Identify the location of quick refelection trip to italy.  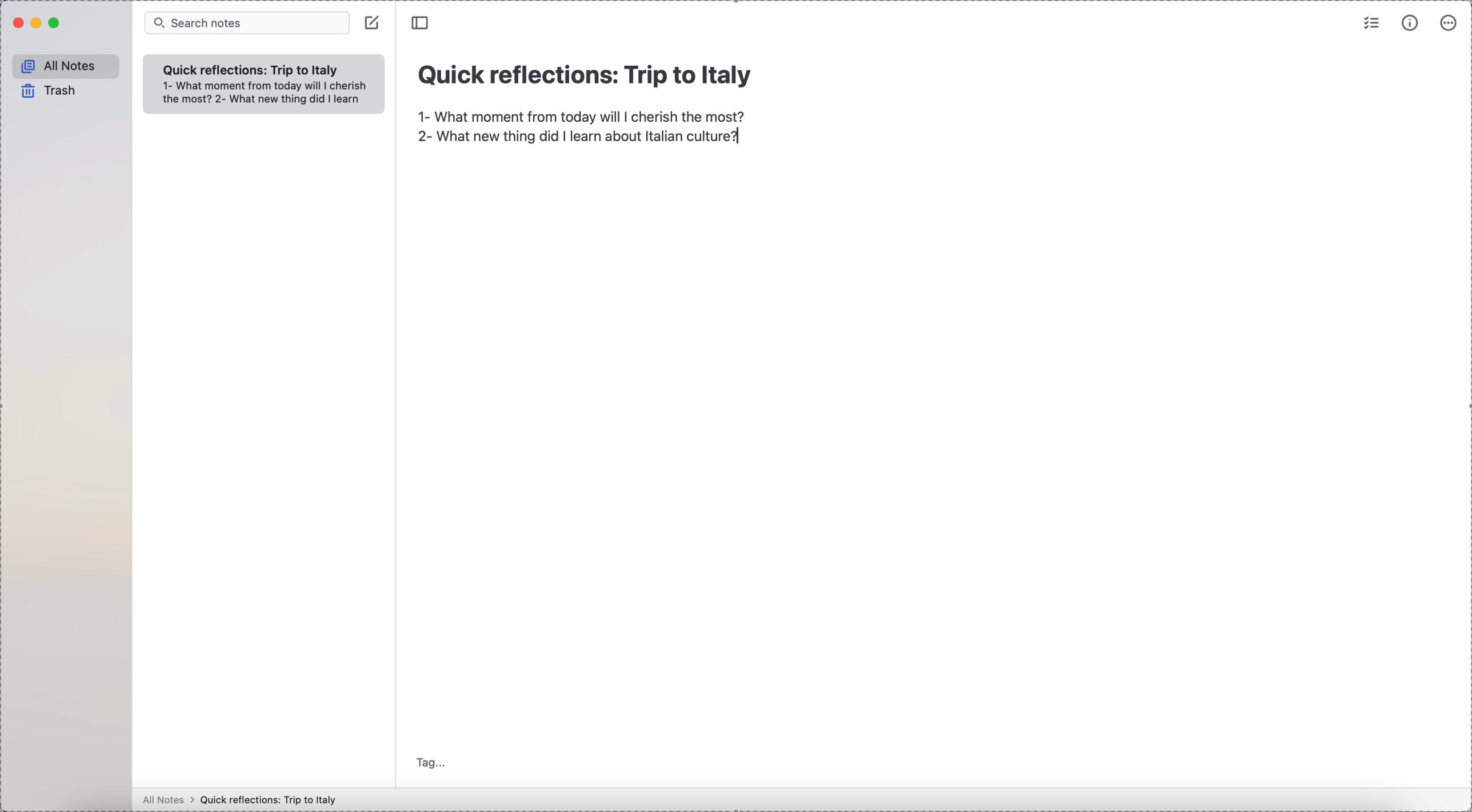
(253, 69).